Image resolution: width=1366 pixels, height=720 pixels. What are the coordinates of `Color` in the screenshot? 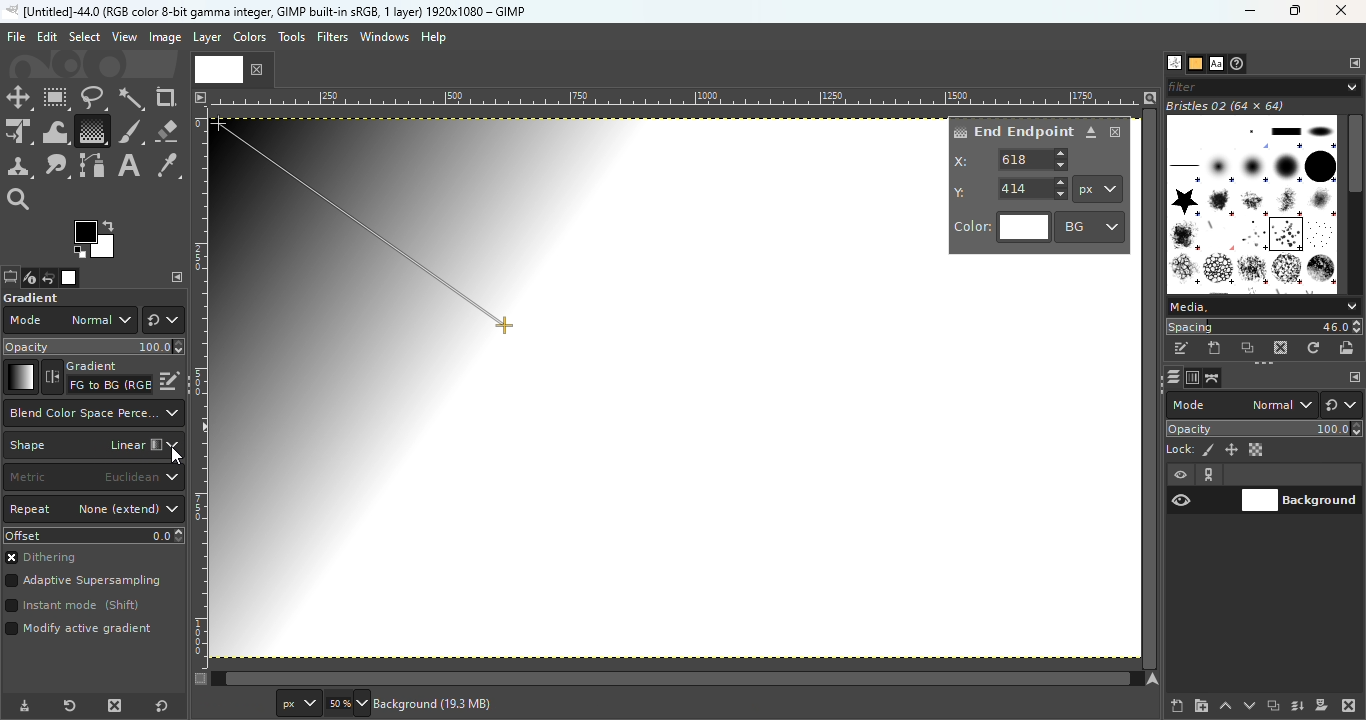 It's located at (1002, 228).